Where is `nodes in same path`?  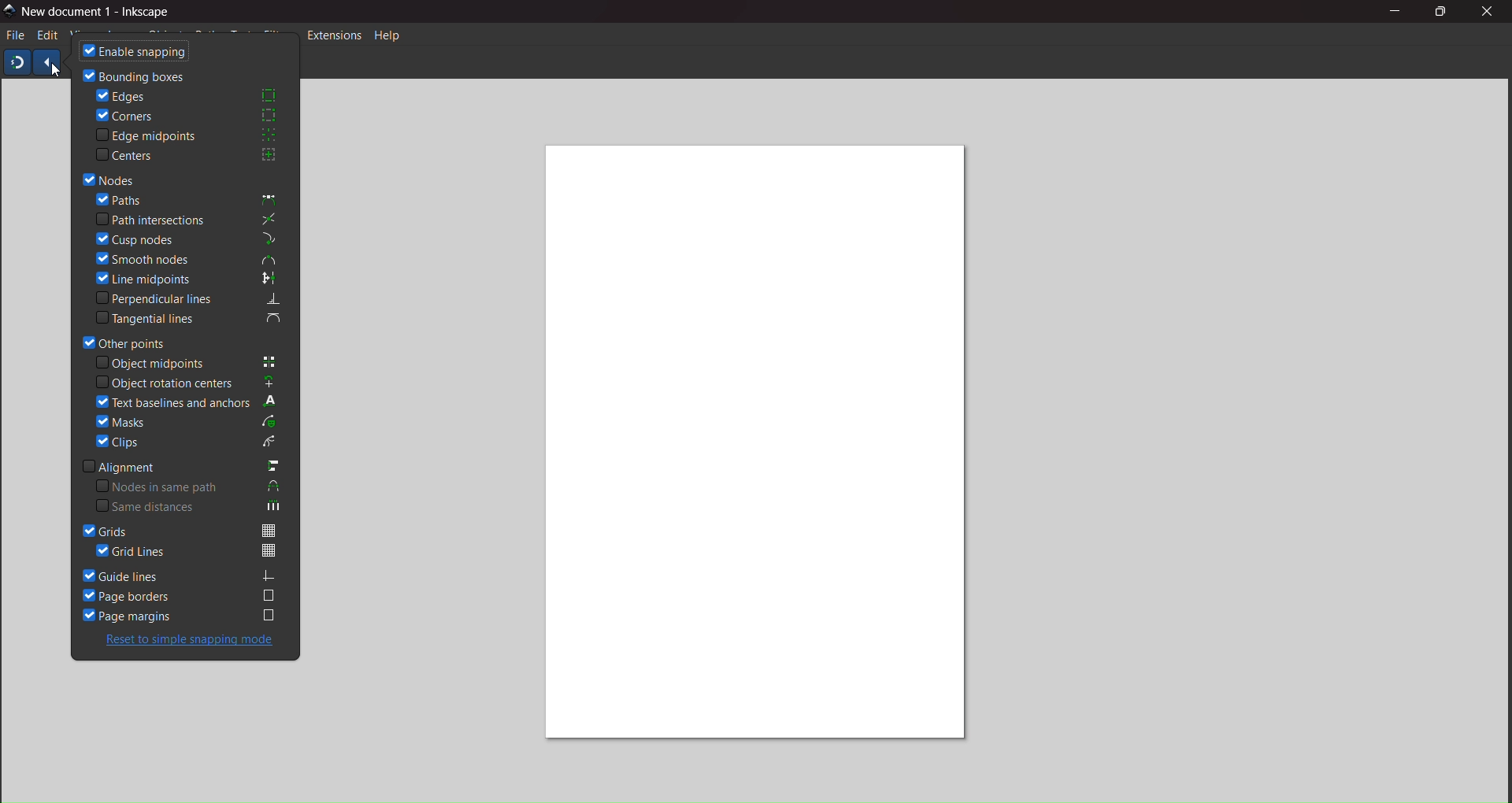 nodes in same path is located at coordinates (189, 486).